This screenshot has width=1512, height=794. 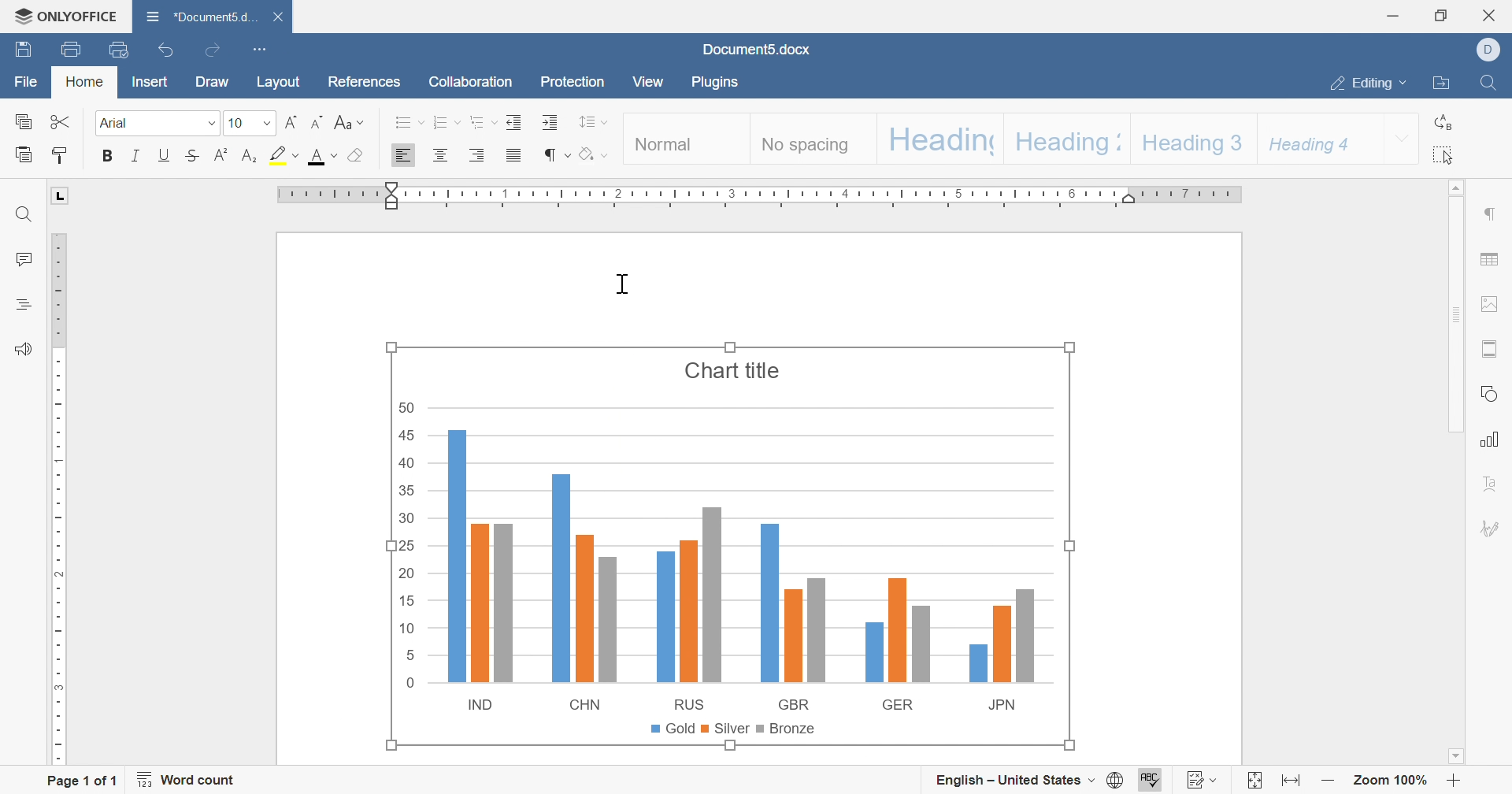 I want to click on table settings, so click(x=1489, y=259).